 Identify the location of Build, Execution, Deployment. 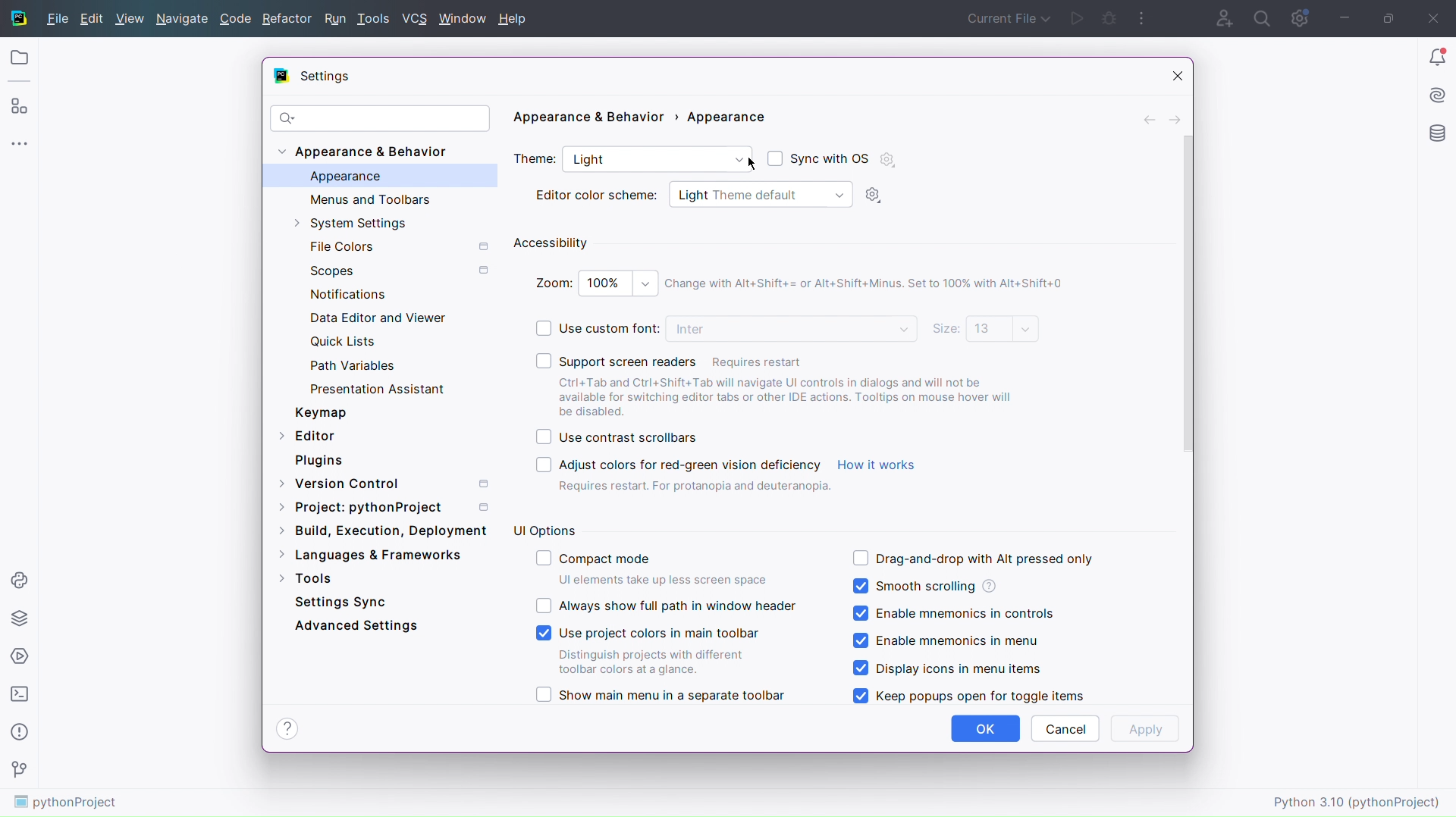
(382, 529).